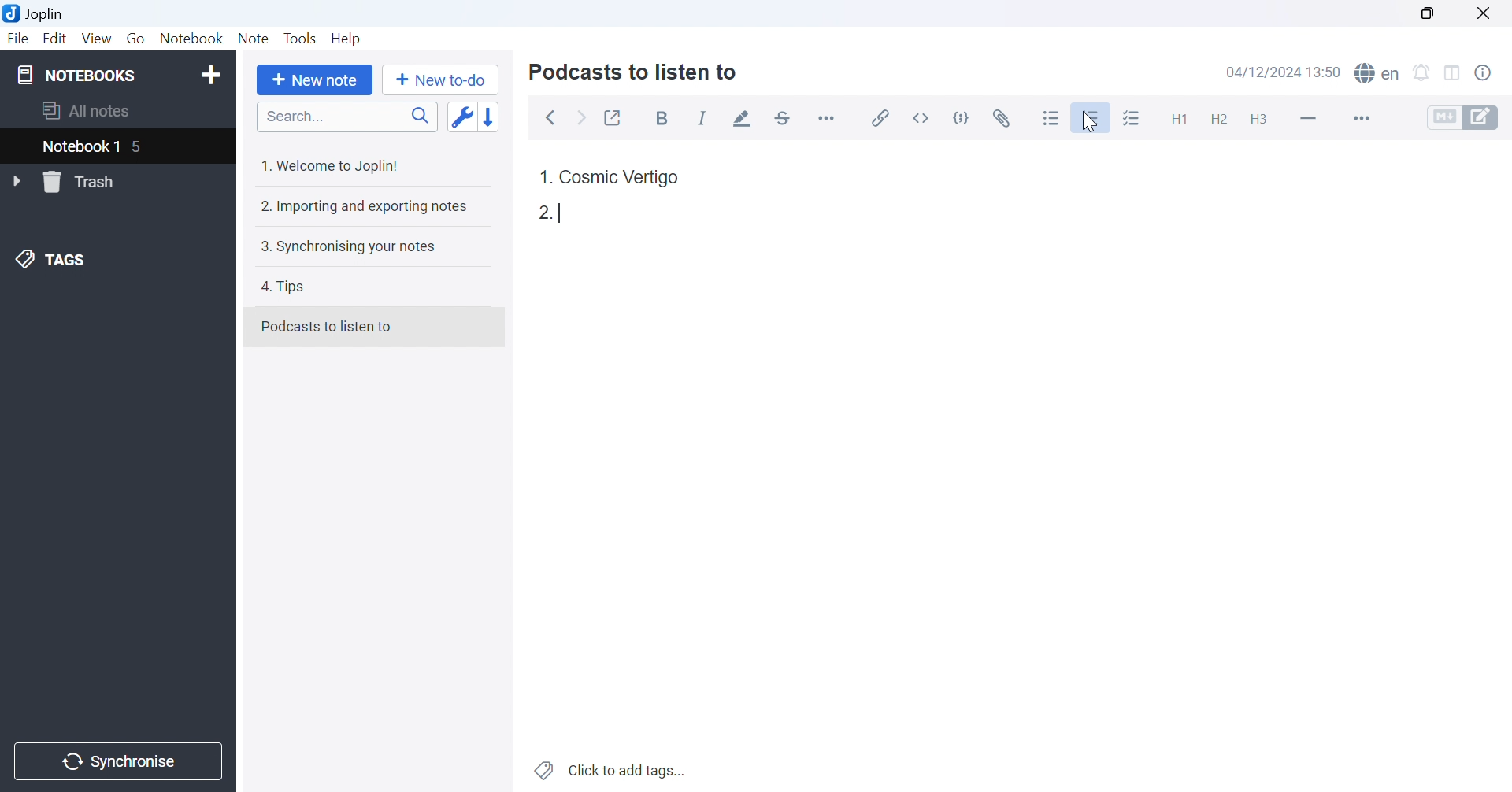  Describe the element at coordinates (1425, 12) in the screenshot. I see `Restore Down` at that location.